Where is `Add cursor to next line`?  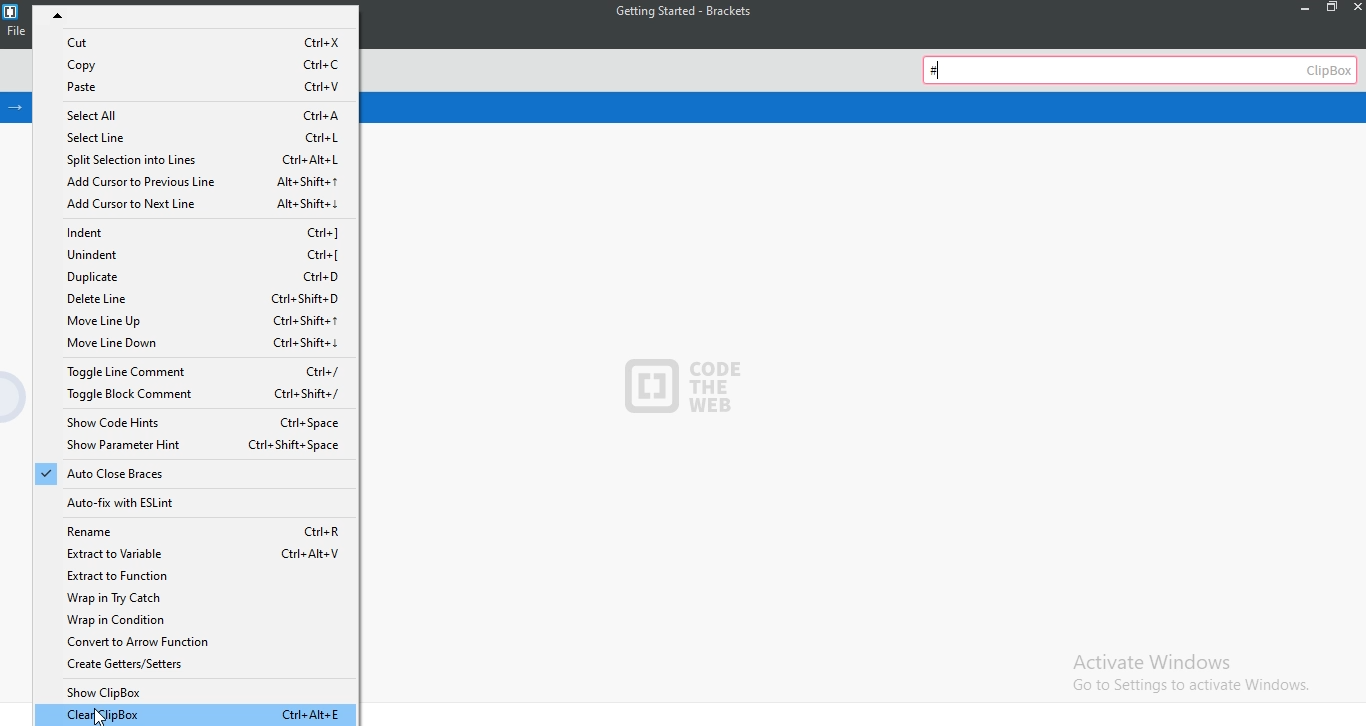 Add cursor to next line is located at coordinates (199, 206).